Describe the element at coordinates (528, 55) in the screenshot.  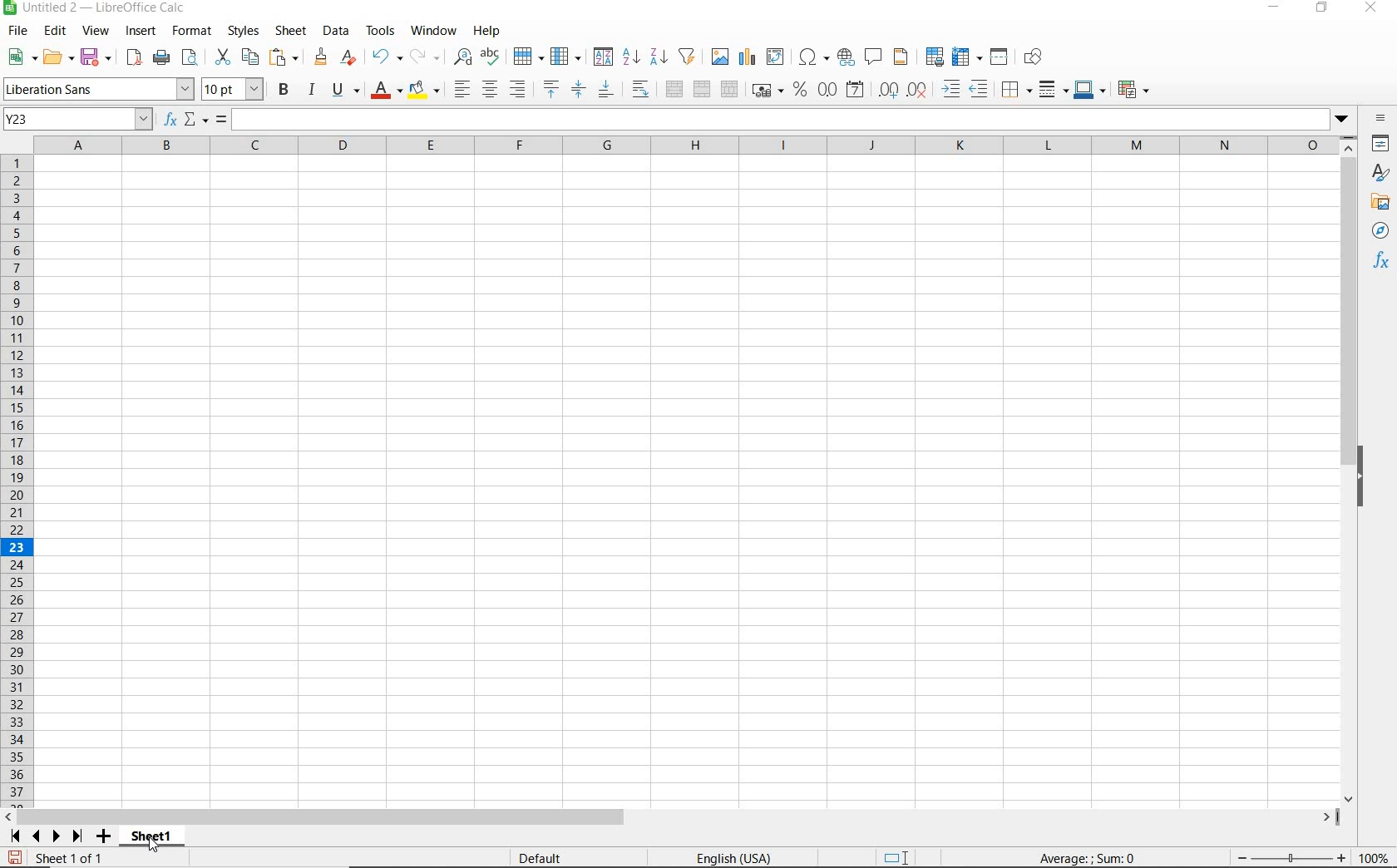
I see `ROW` at that location.